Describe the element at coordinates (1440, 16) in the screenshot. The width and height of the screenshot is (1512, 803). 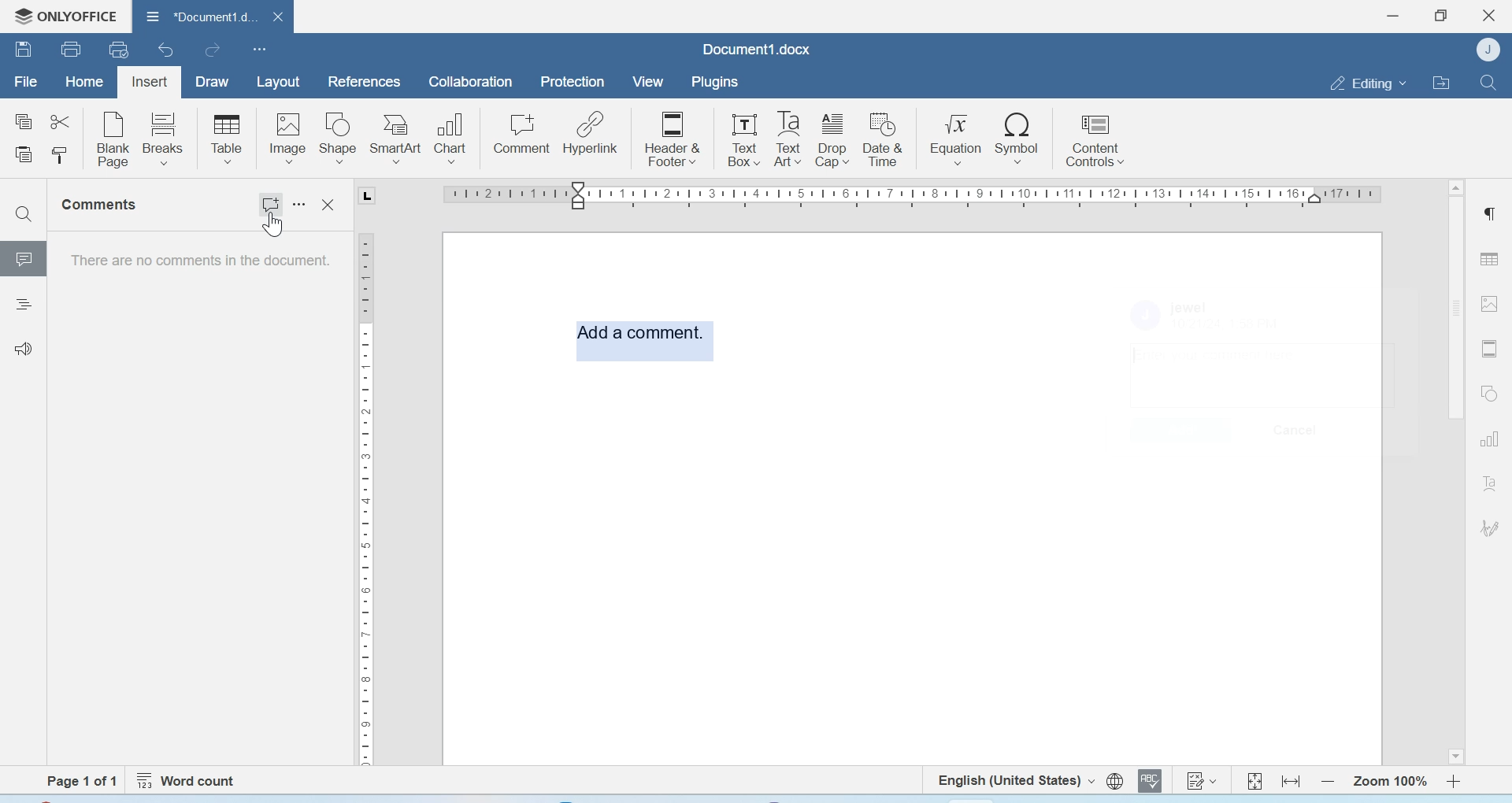
I see `Maximize` at that location.